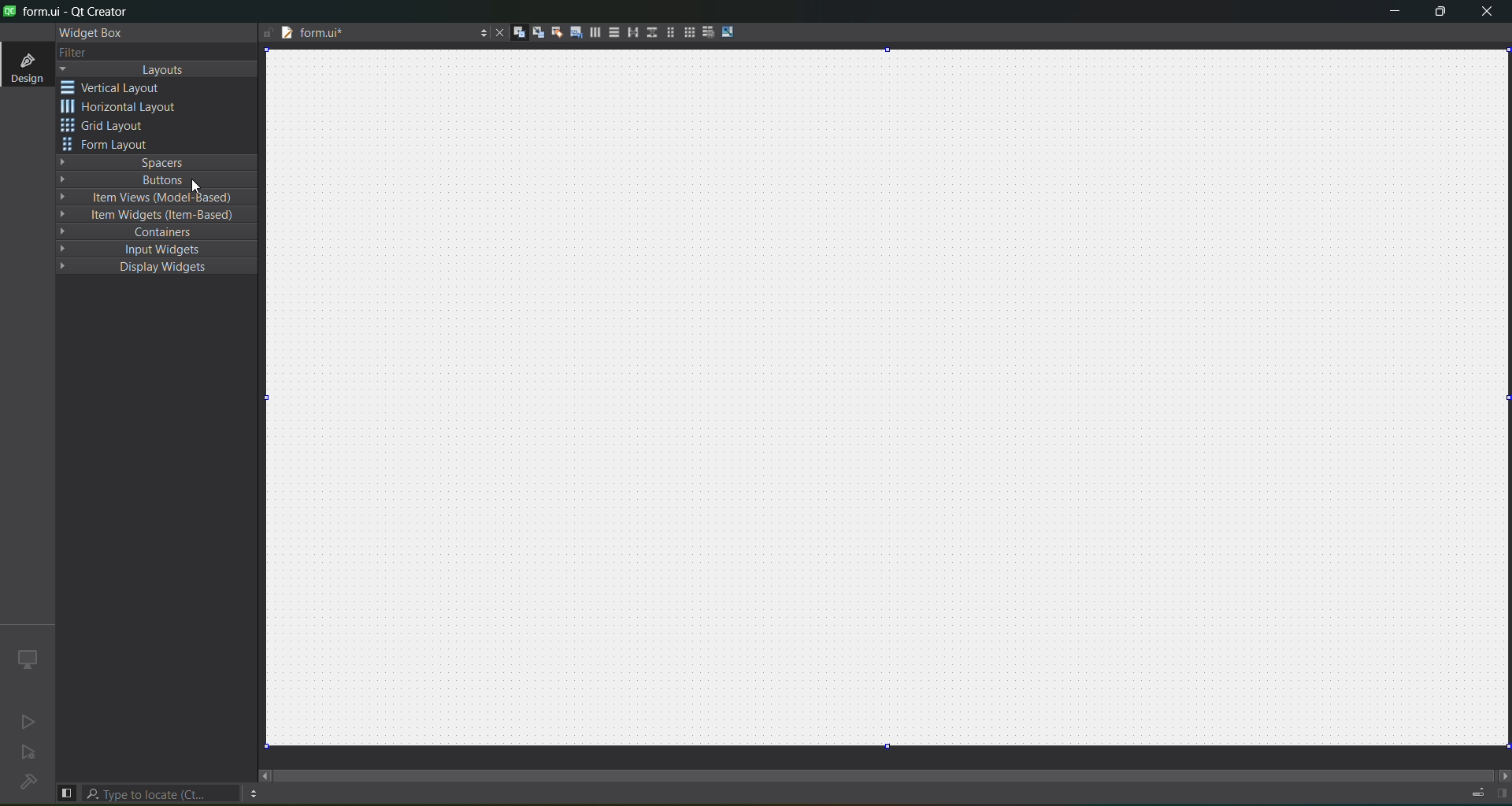 The height and width of the screenshot is (806, 1512). I want to click on close tab, so click(495, 32).